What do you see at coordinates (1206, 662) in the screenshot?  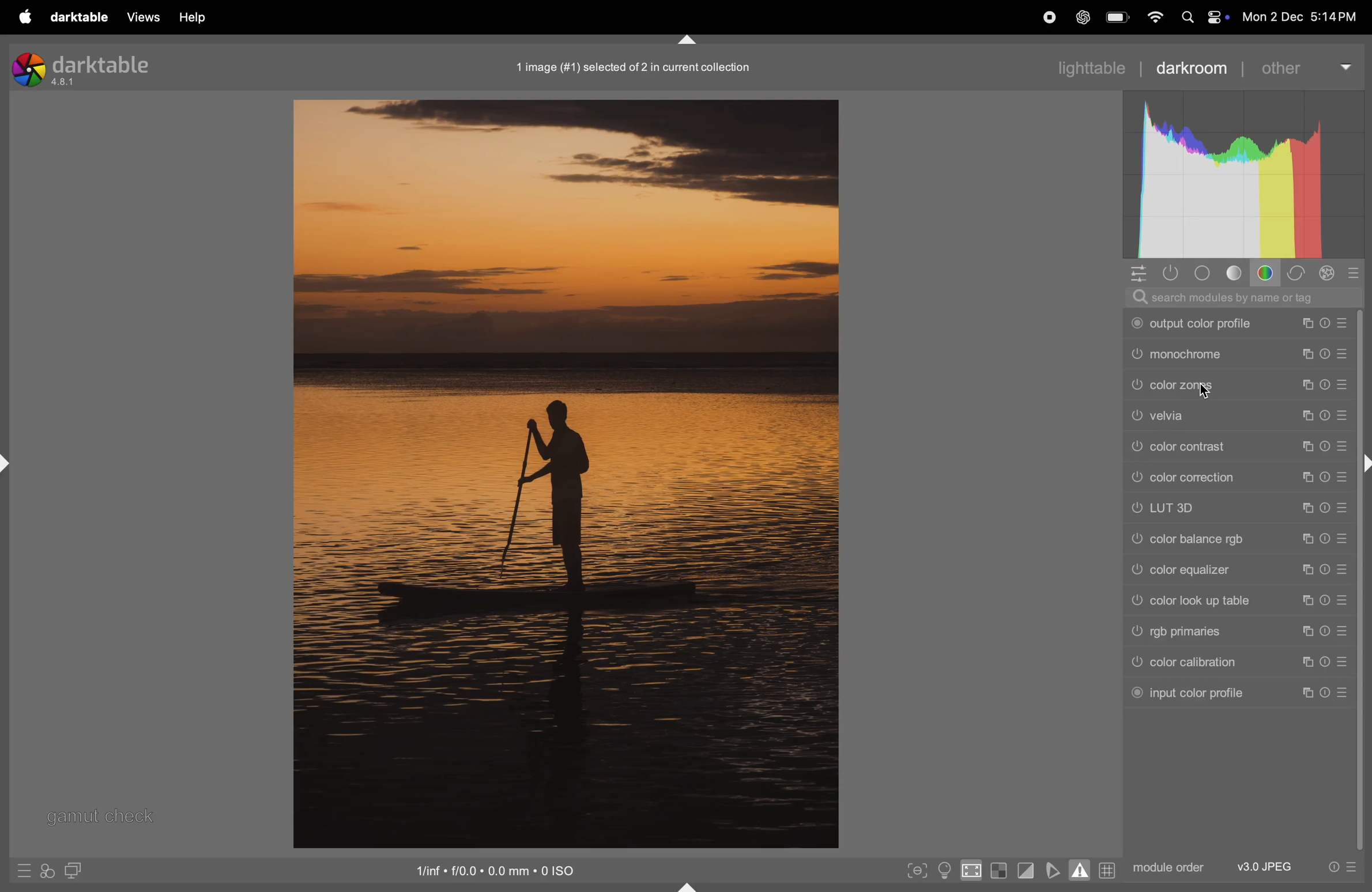 I see `color calibiration` at bounding box center [1206, 662].